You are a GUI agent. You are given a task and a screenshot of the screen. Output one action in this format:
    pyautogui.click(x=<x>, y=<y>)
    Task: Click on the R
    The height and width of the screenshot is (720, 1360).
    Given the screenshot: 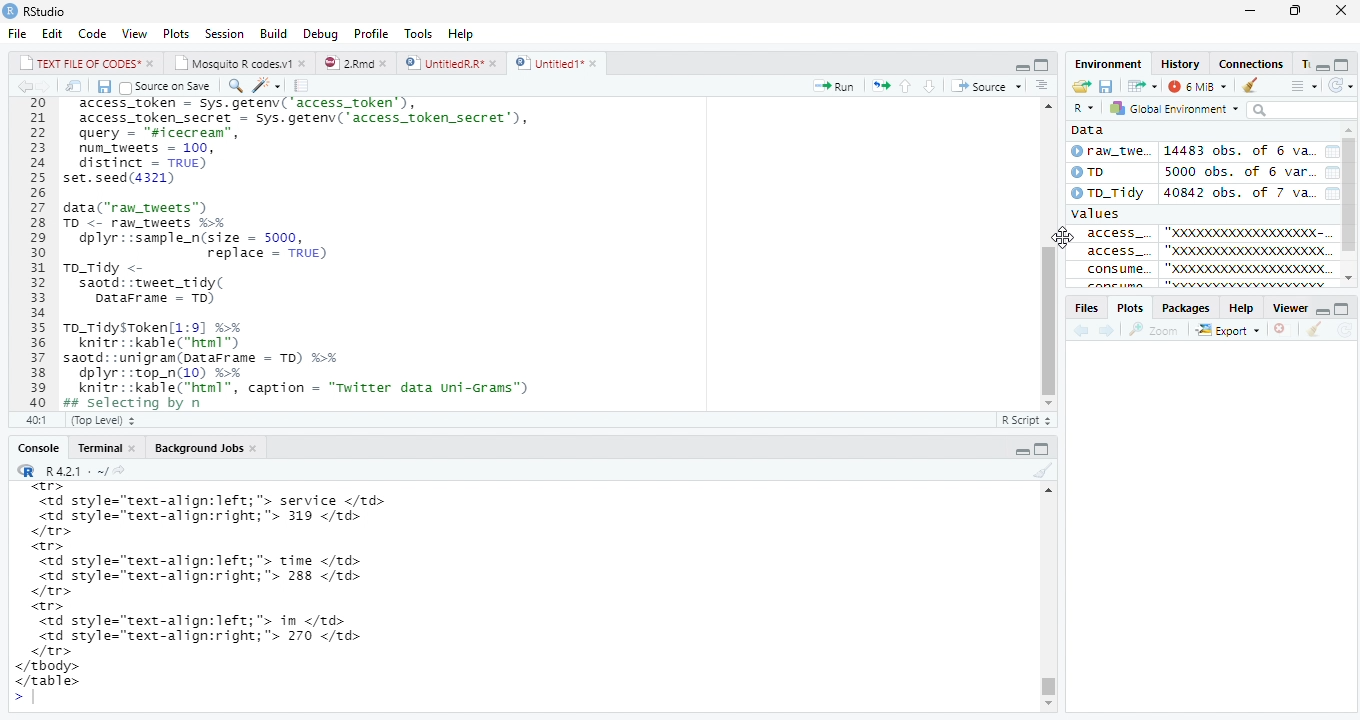 What is the action you would take?
    pyautogui.click(x=1083, y=106)
    